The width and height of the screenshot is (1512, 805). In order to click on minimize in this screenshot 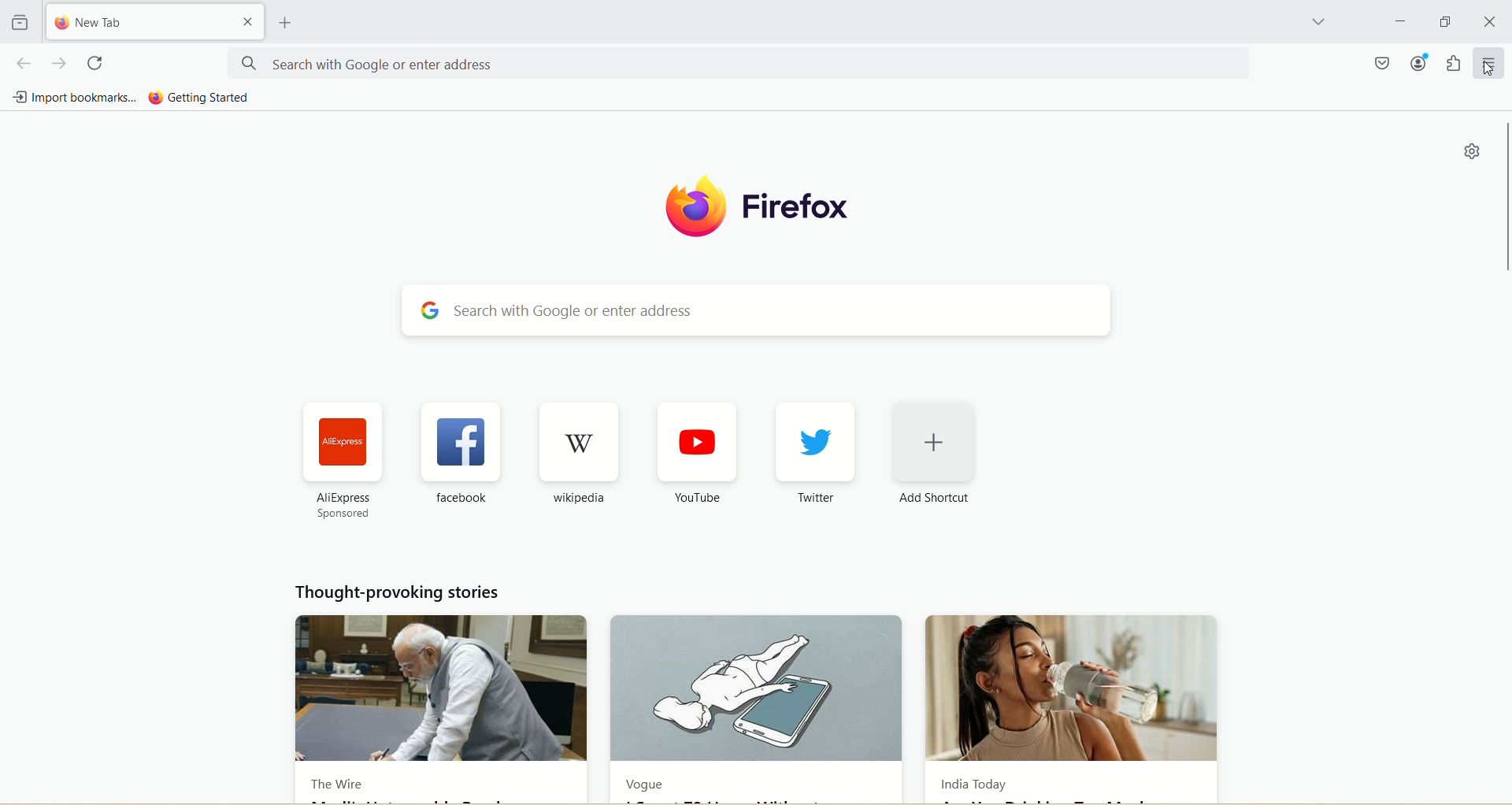, I will do `click(1399, 20)`.